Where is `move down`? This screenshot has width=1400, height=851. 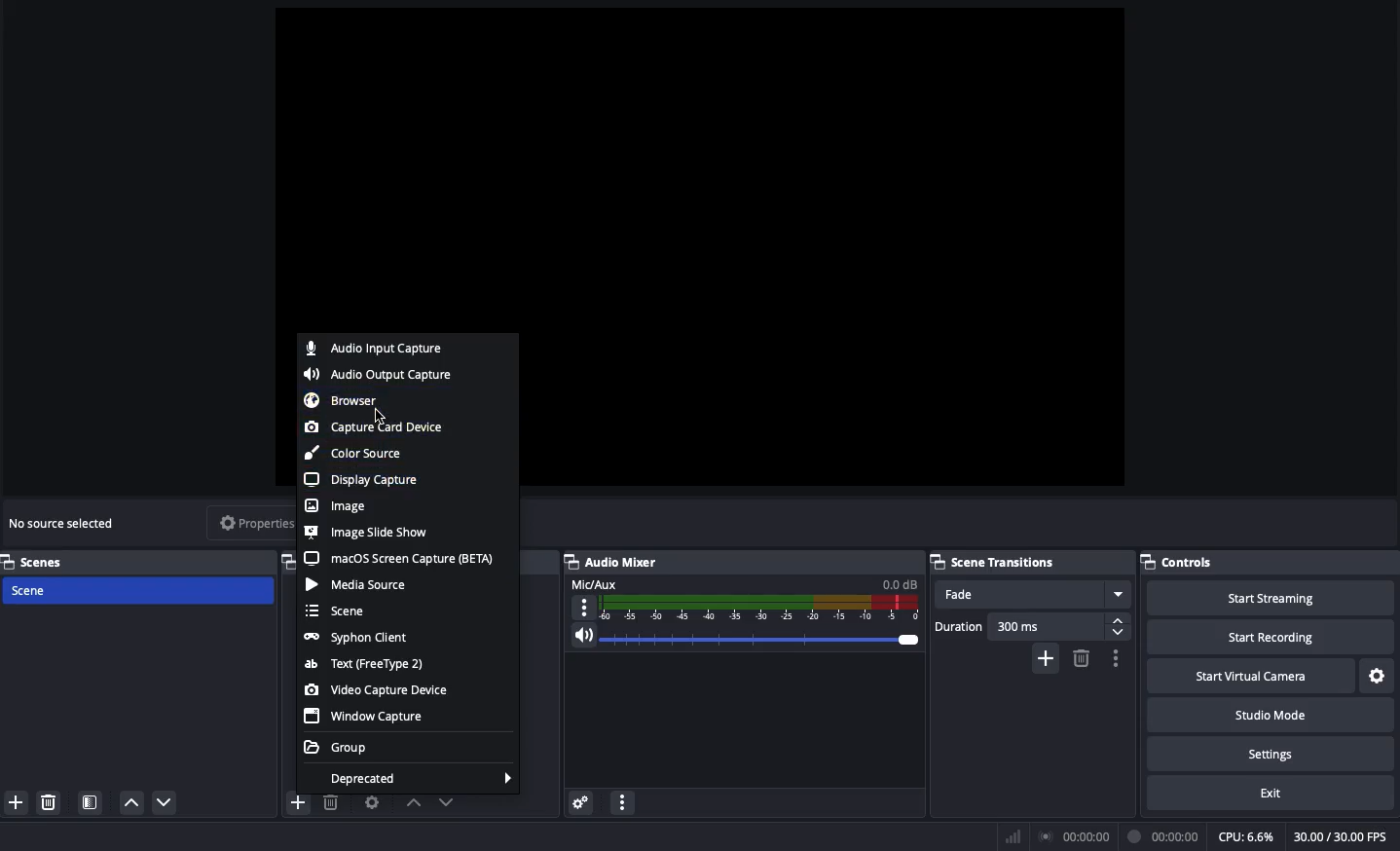 move down is located at coordinates (170, 799).